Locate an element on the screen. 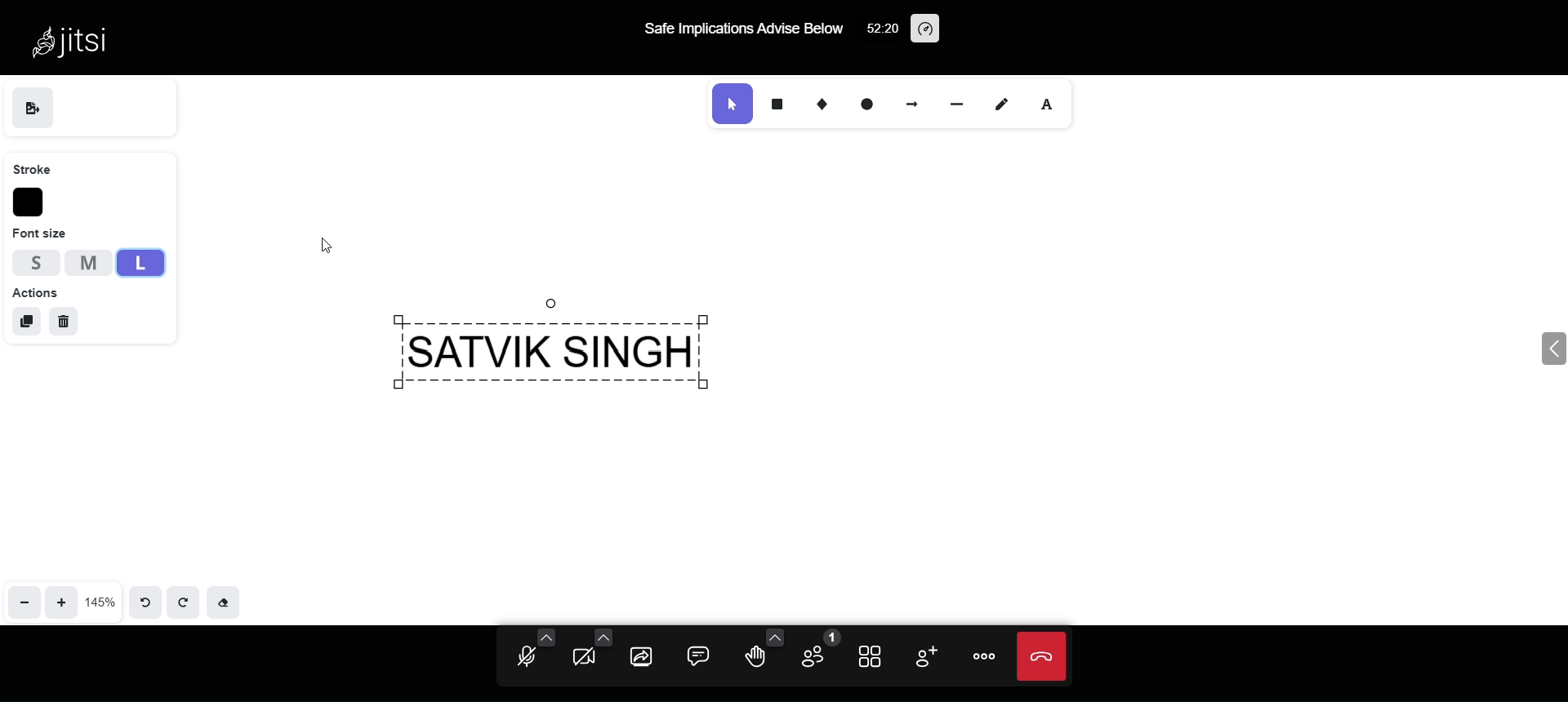 This screenshot has width=1568, height=702. Cursor is located at coordinates (337, 245).